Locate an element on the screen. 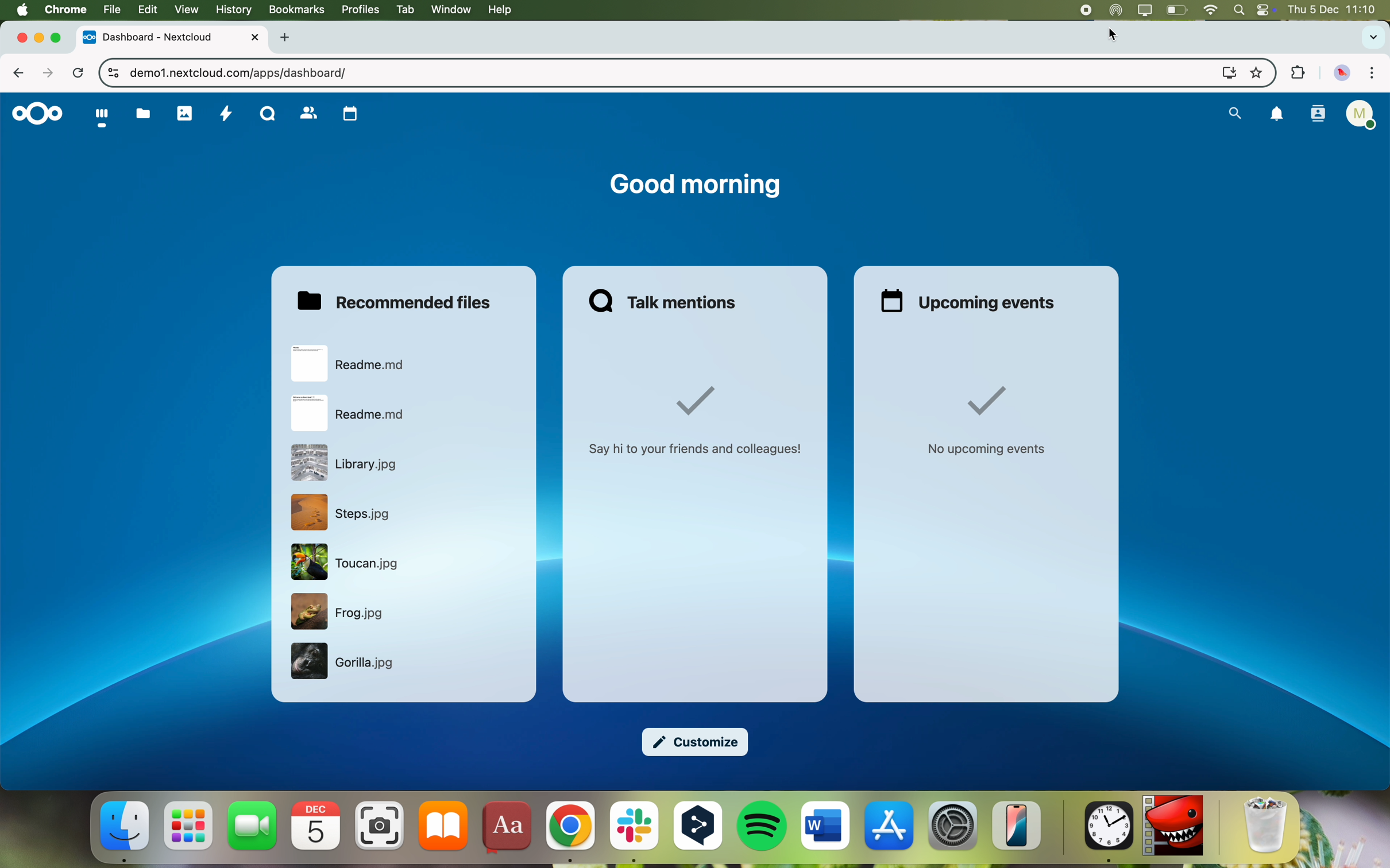 The height and width of the screenshot is (868, 1390). screen is located at coordinates (1225, 72).